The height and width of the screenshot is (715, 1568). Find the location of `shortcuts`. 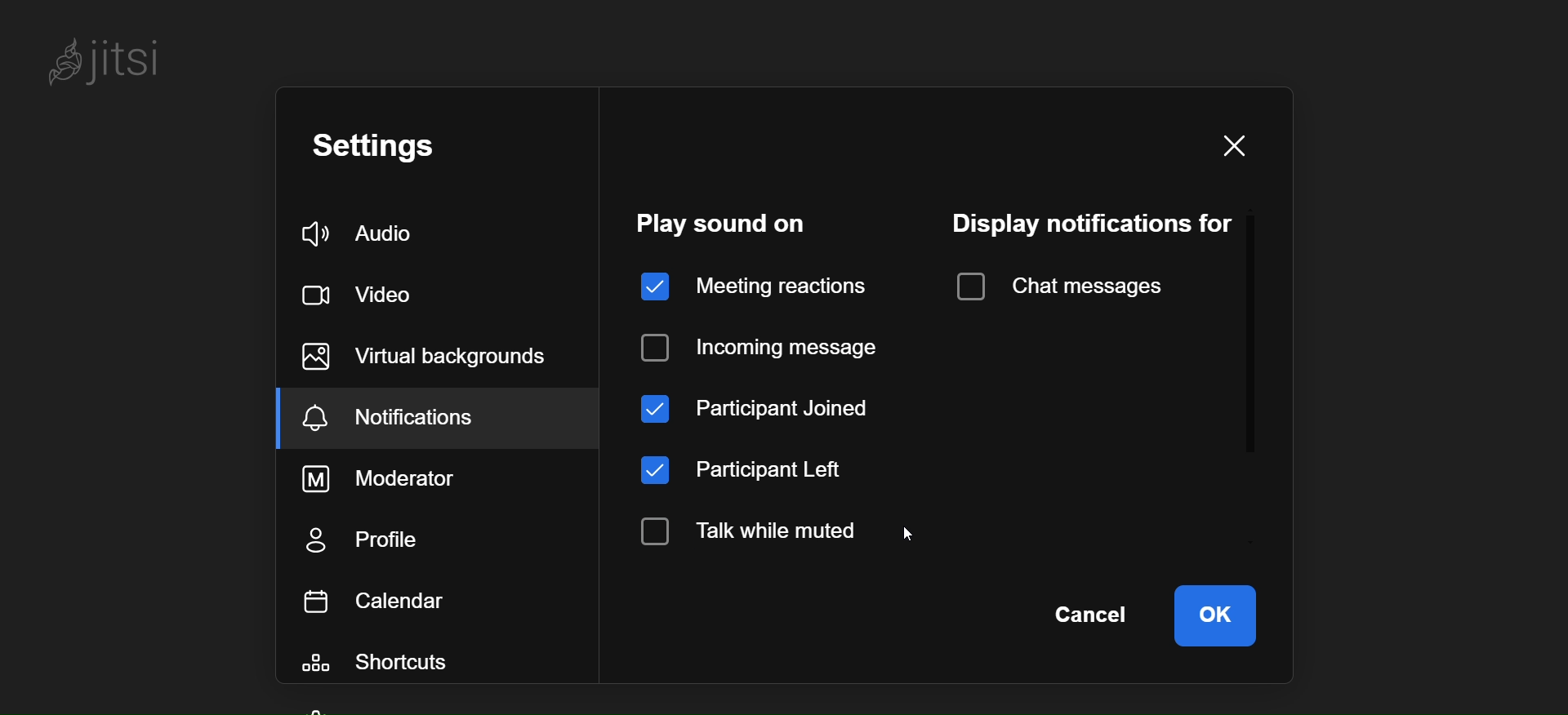

shortcuts is located at coordinates (382, 659).